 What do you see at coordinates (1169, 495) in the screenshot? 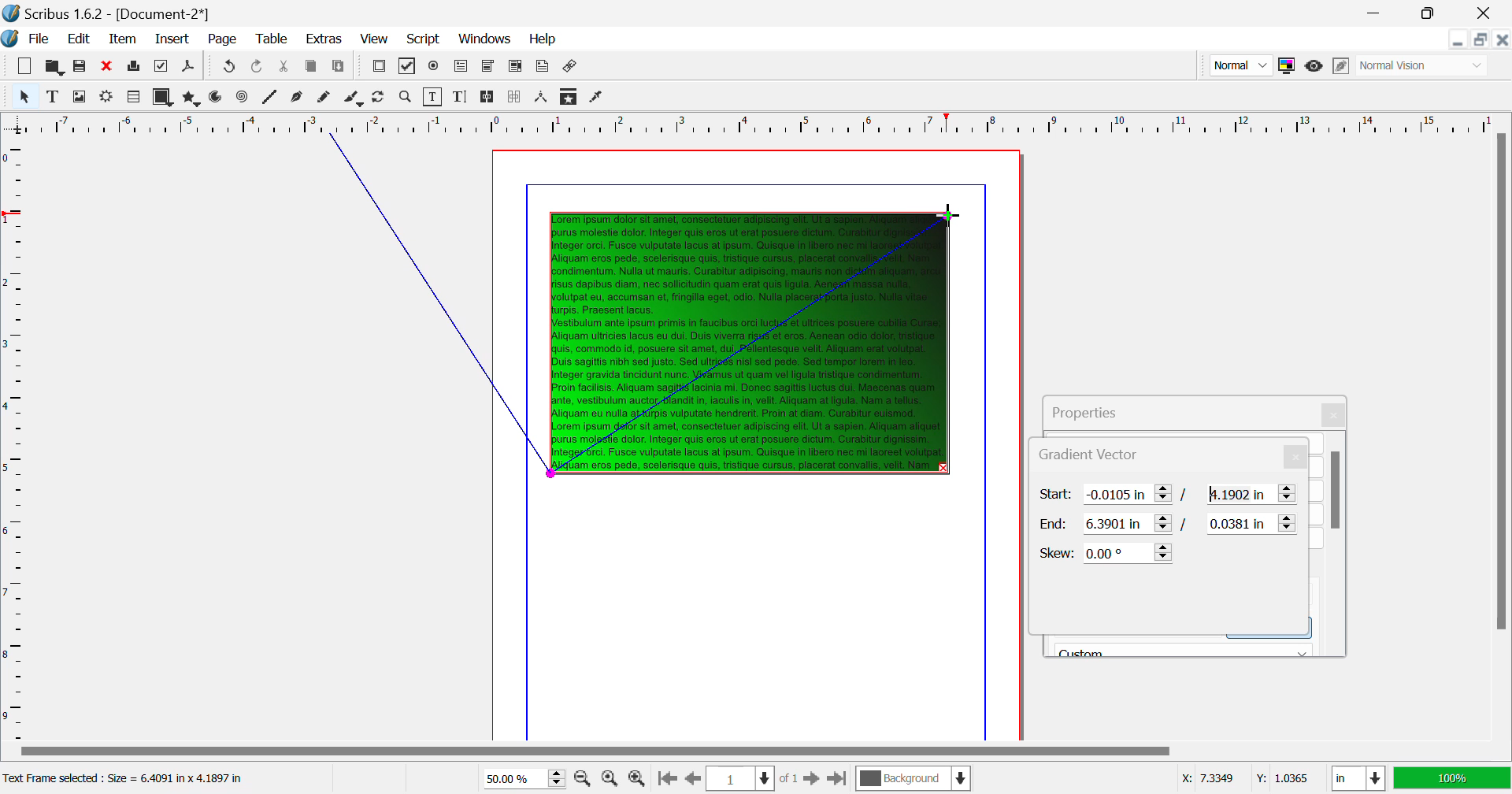
I see `Gradient Vector Start` at bounding box center [1169, 495].